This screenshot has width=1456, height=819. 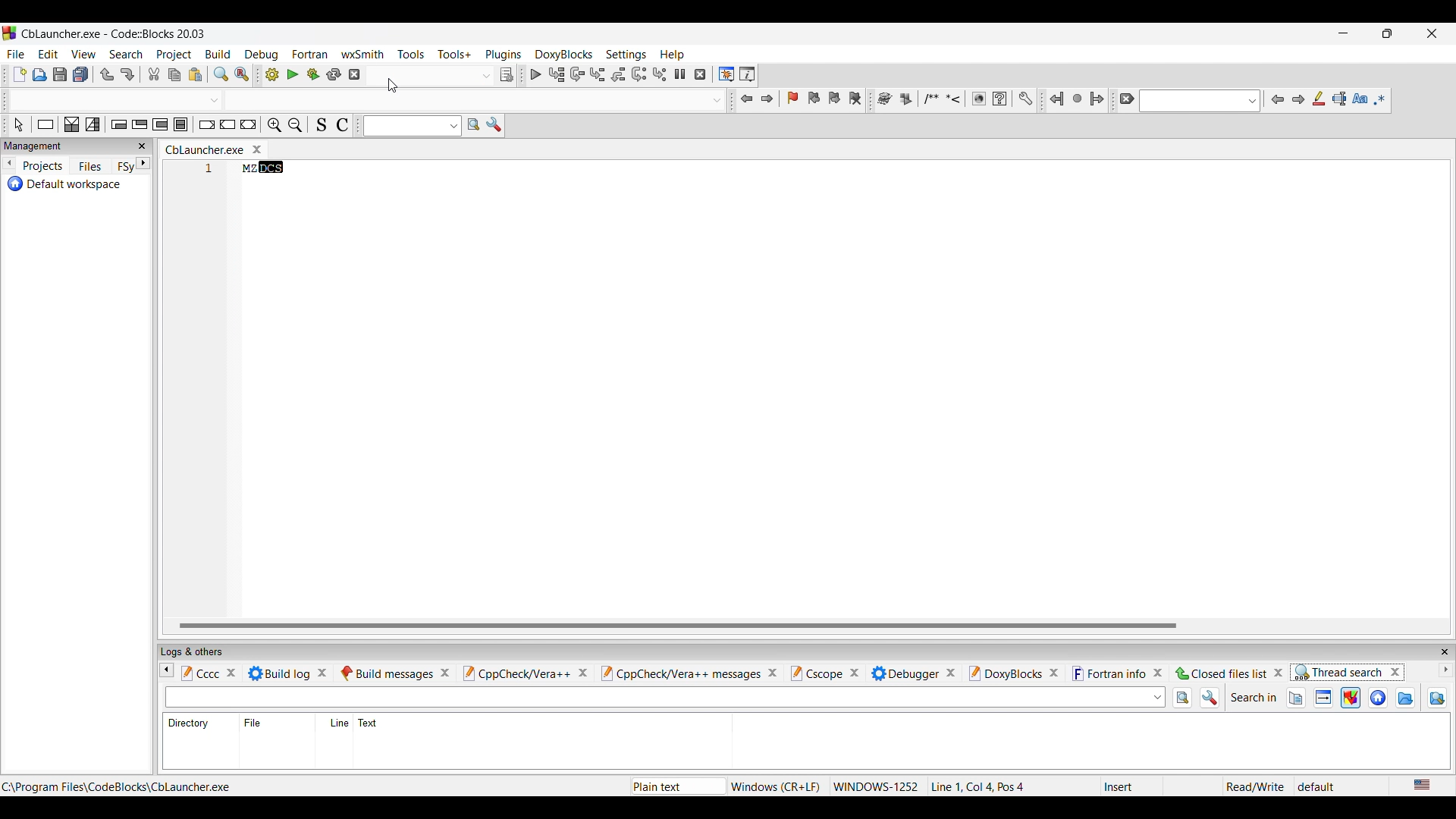 I want to click on Text column, so click(x=369, y=723).